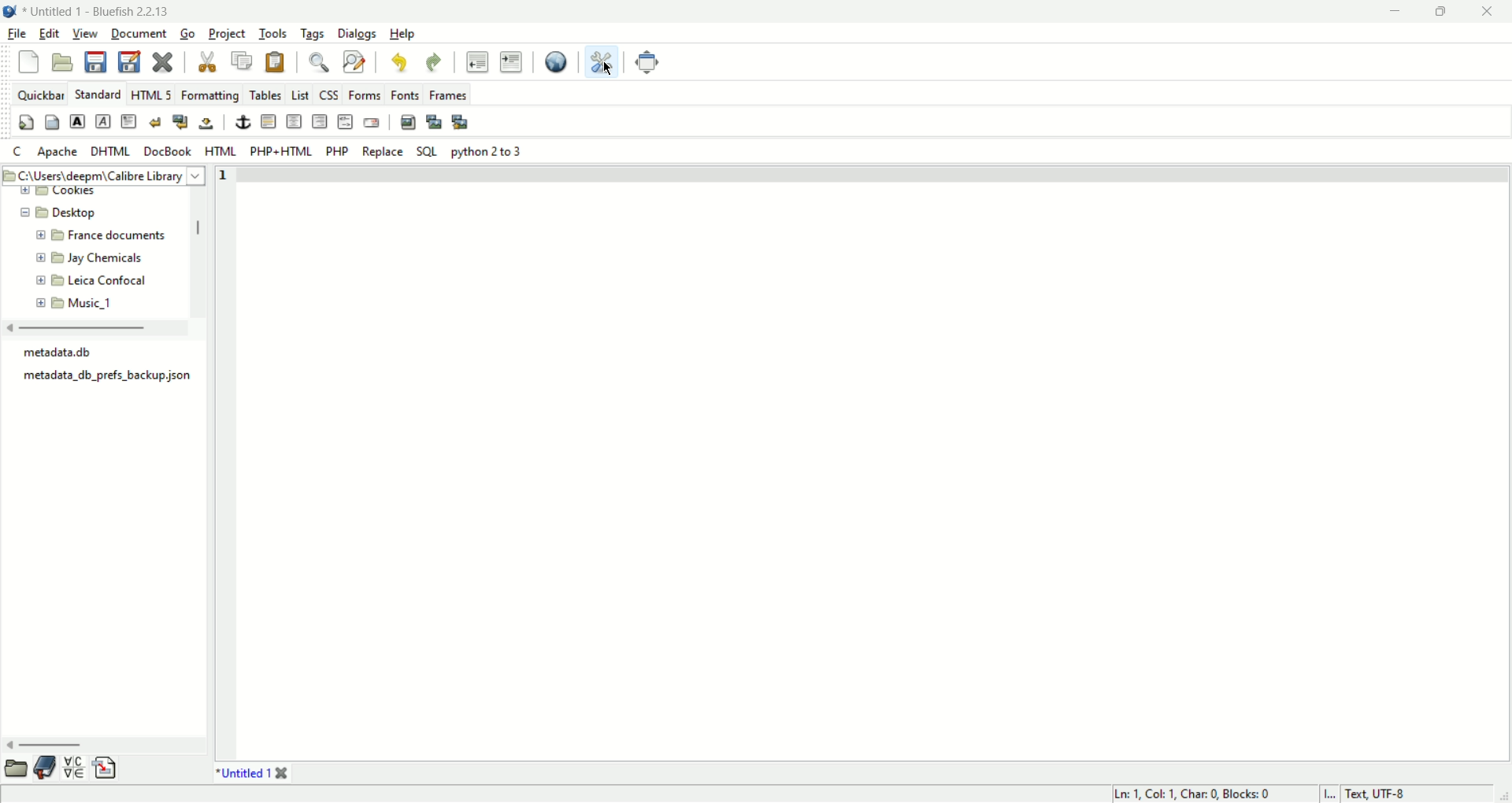 This screenshot has height=803, width=1512. Describe the element at coordinates (42, 747) in the screenshot. I see `horizontal scroll bar` at that location.